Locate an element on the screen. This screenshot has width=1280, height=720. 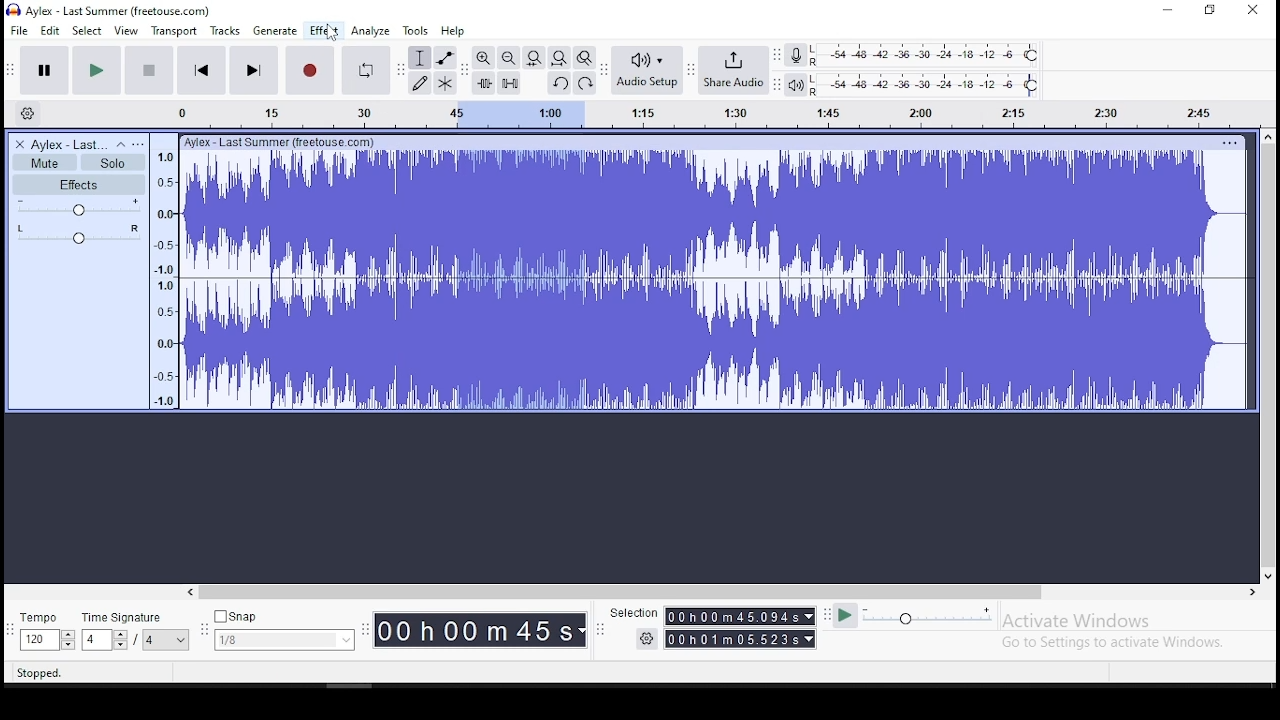
delete track is located at coordinates (19, 144).